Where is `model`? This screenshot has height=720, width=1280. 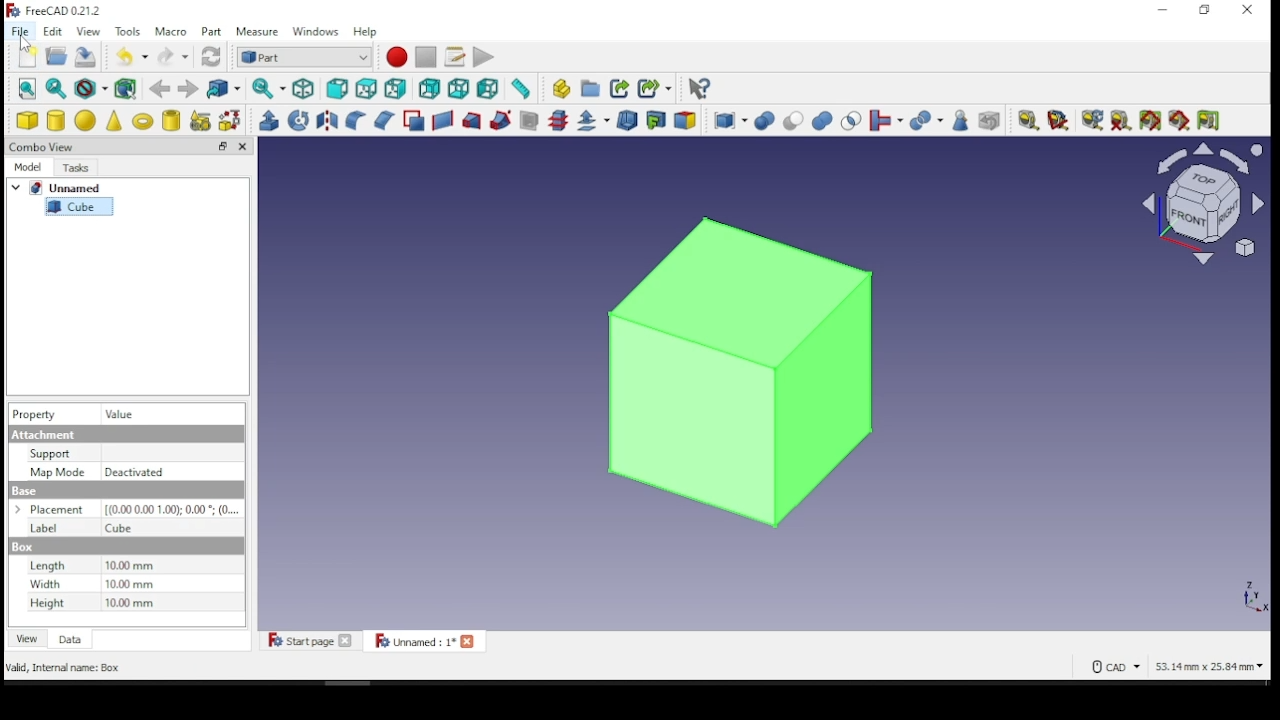 model is located at coordinates (29, 167).